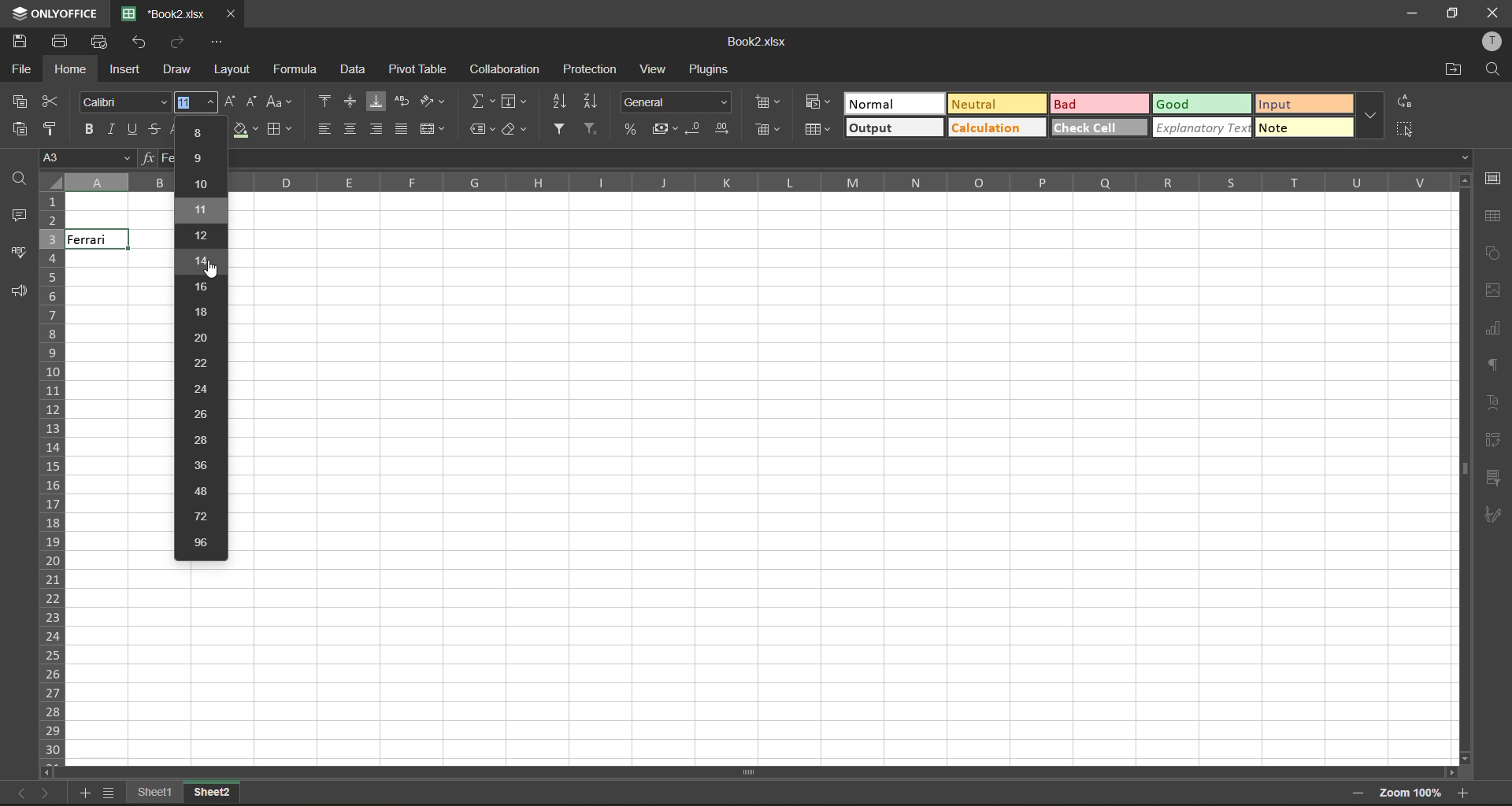 This screenshot has height=806, width=1512. Describe the element at coordinates (1304, 104) in the screenshot. I see `input` at that location.